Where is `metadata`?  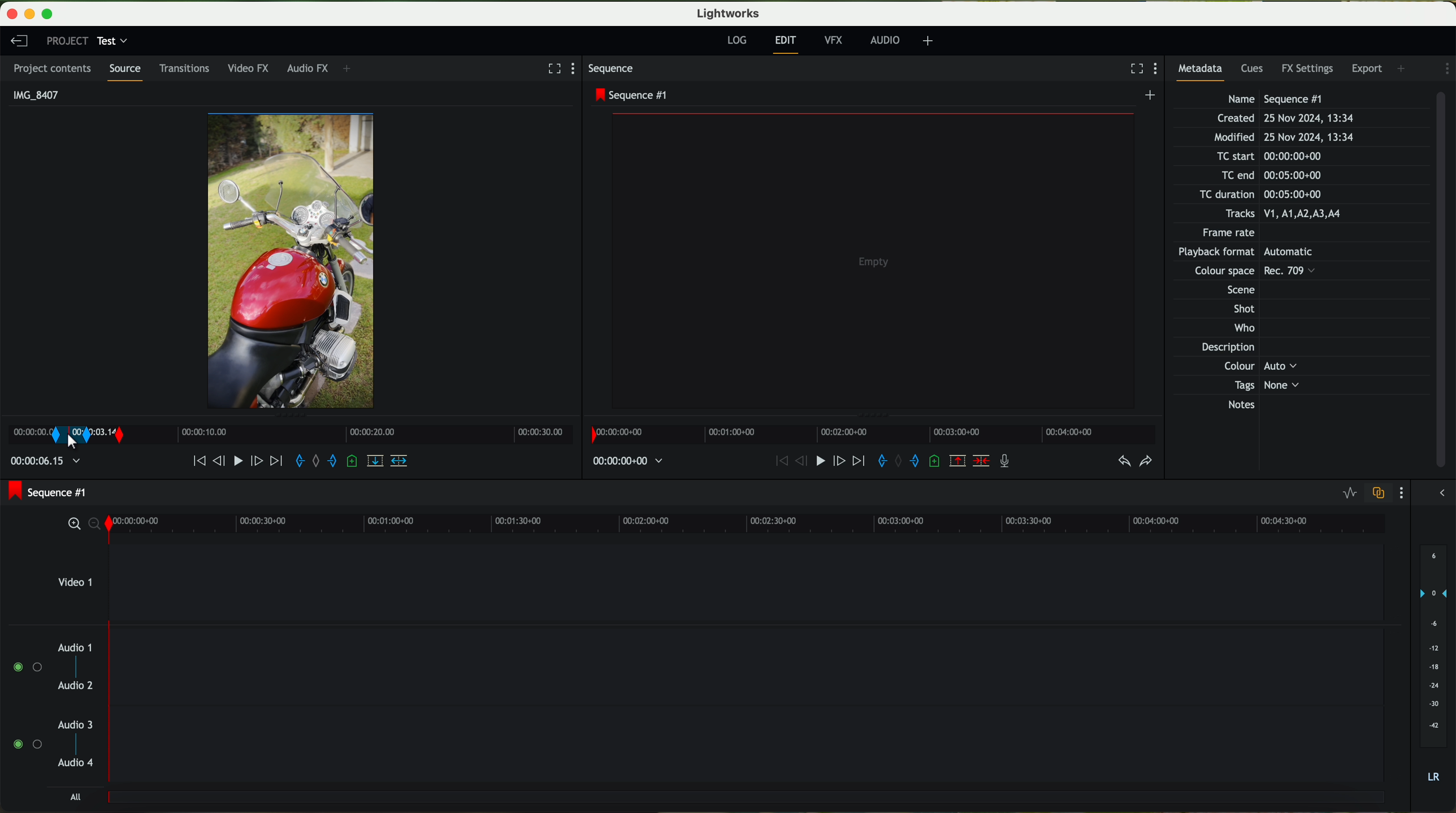
metadata is located at coordinates (1204, 71).